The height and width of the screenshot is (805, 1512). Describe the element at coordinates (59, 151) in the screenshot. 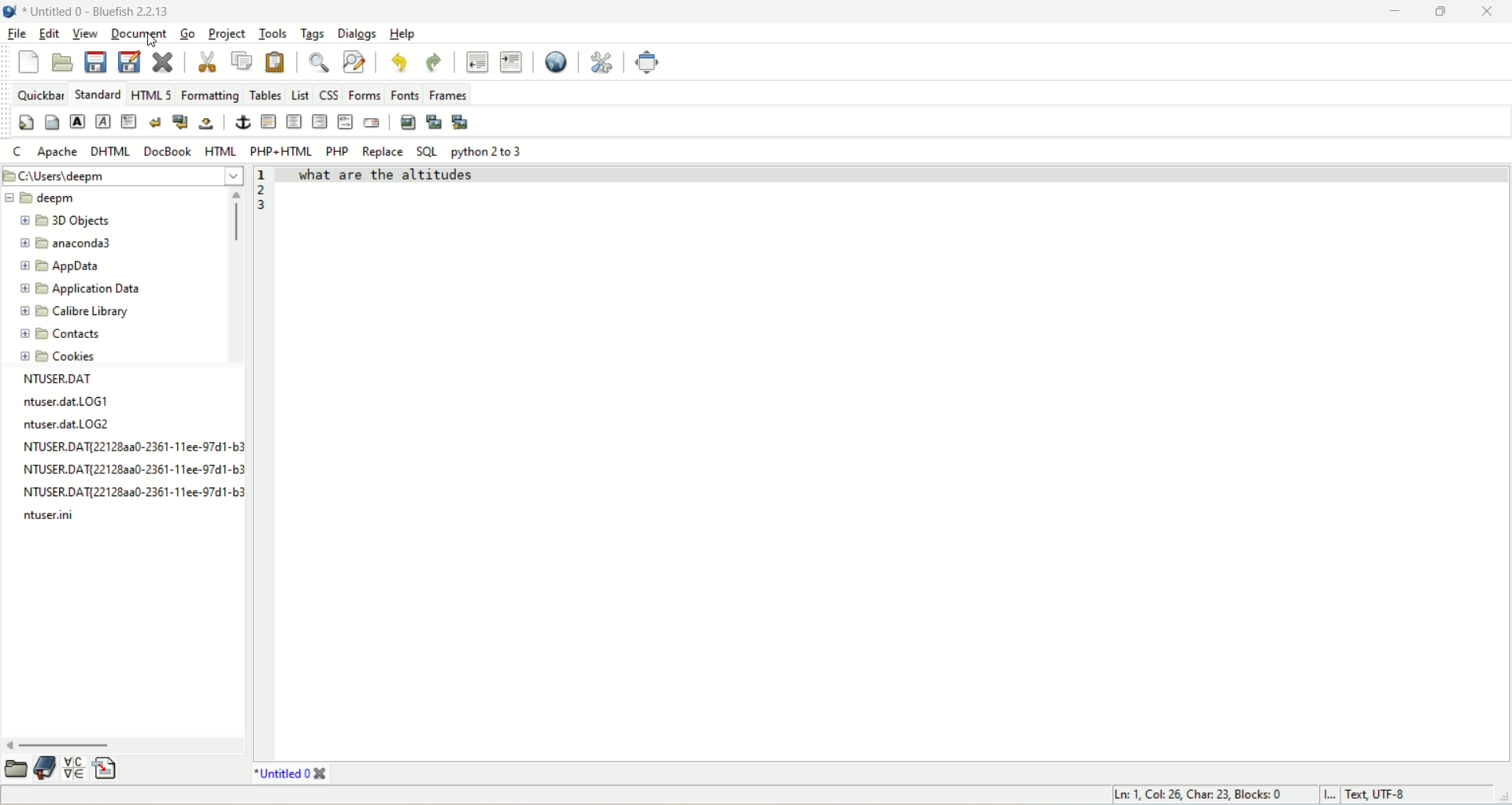

I see `Apache` at that location.